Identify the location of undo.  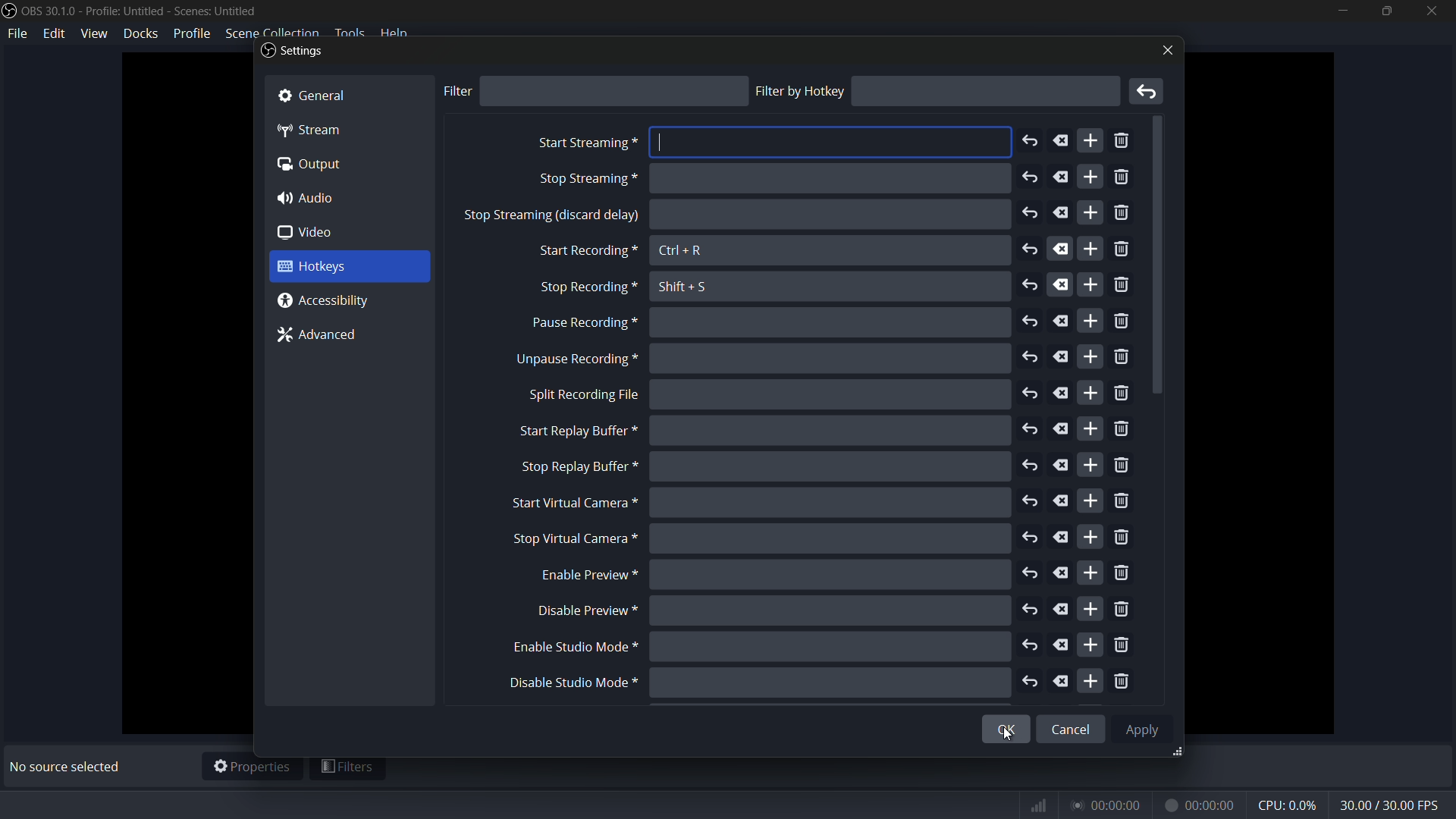
(1034, 682).